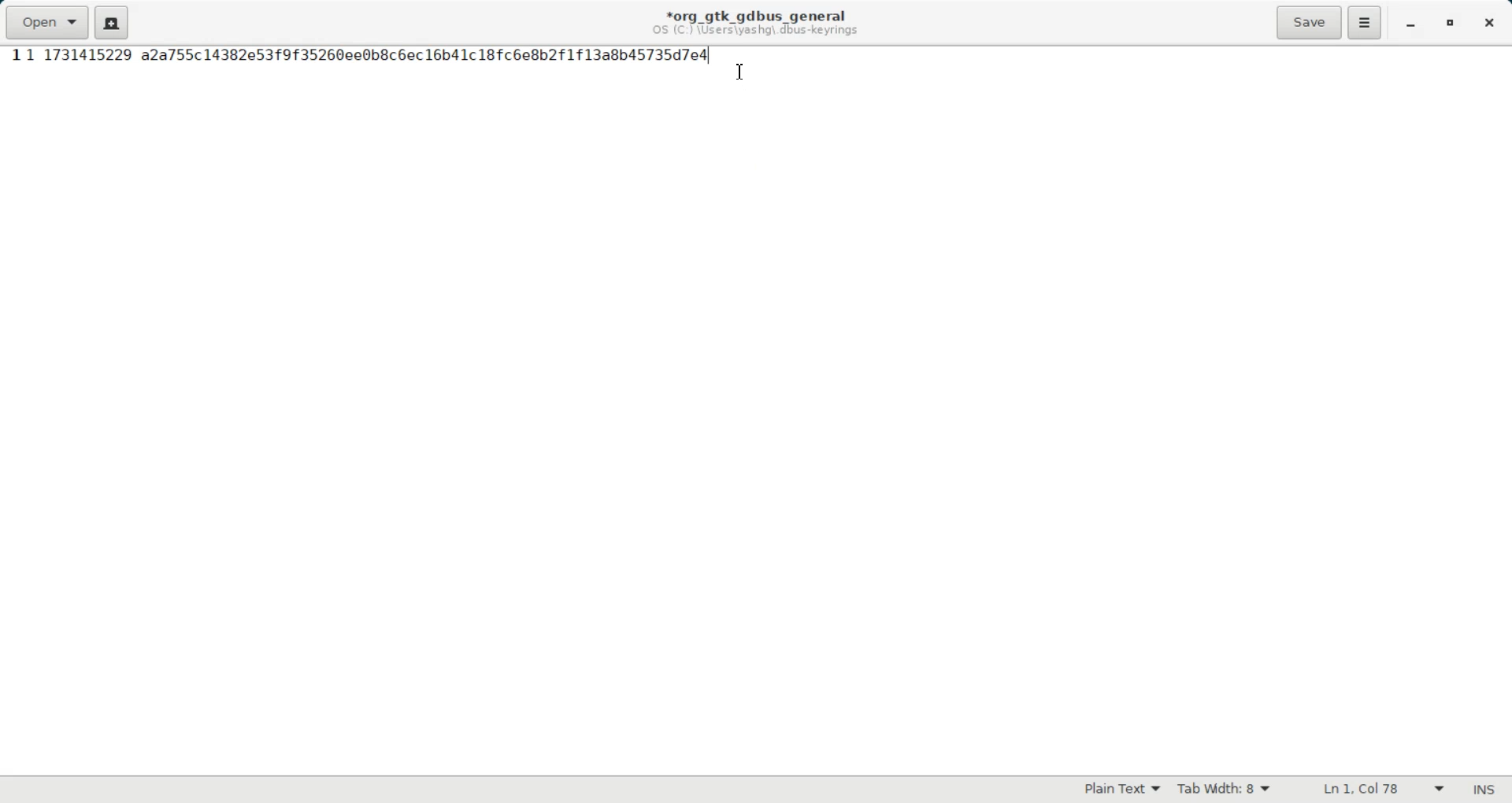 This screenshot has width=1512, height=803. I want to click on Plain Text, so click(1122, 790).